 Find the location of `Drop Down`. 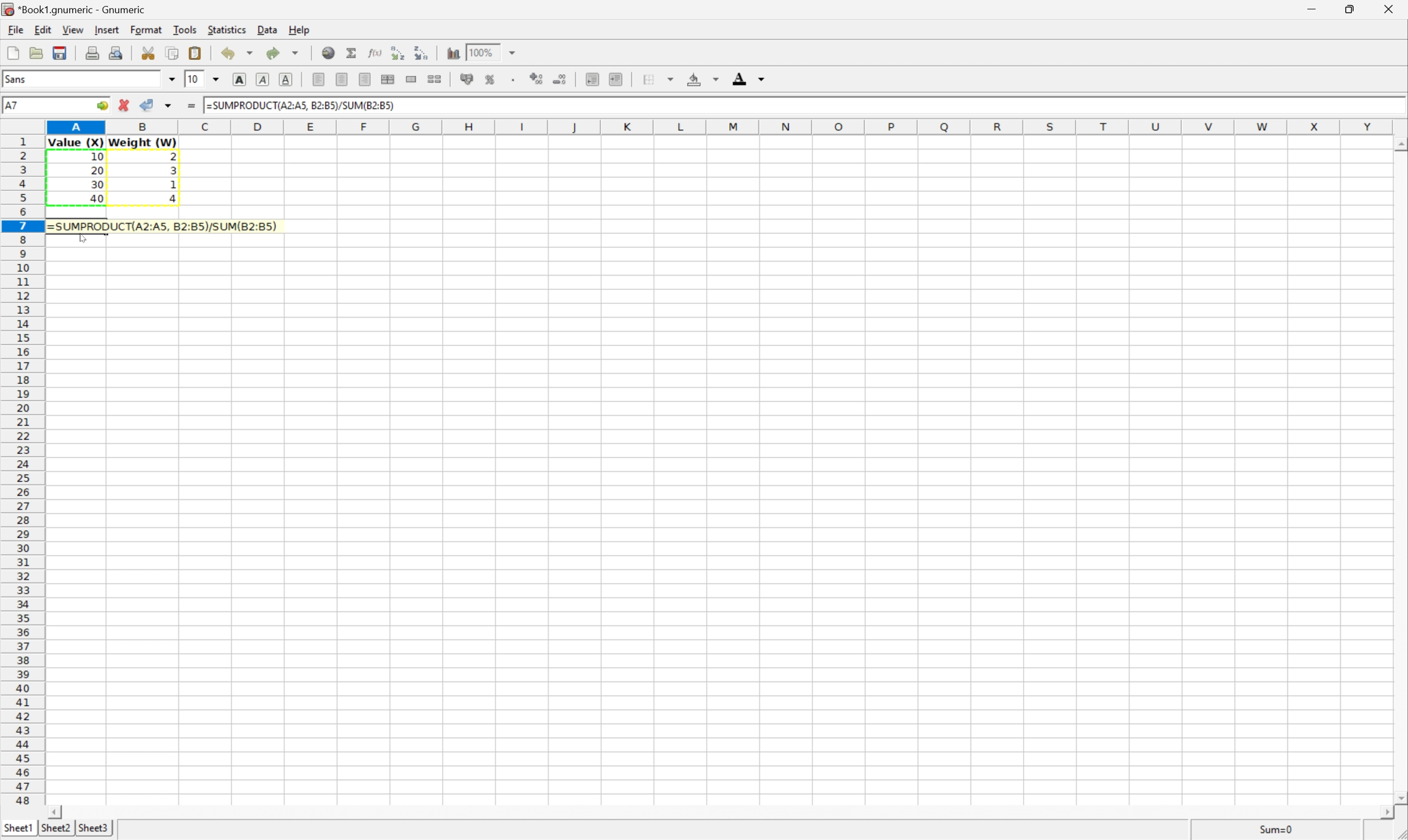

Drop Down is located at coordinates (514, 53).